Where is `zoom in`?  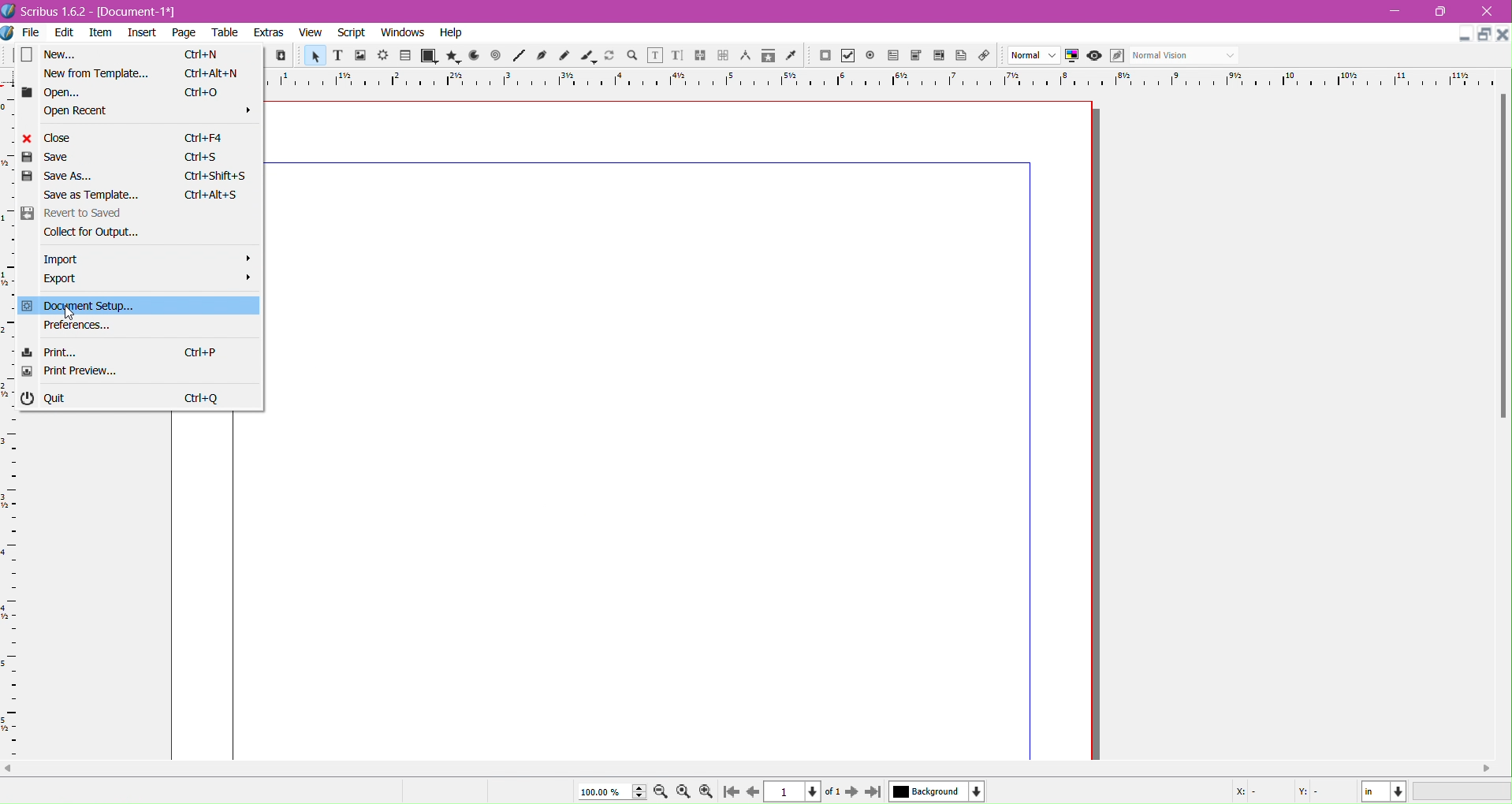
zoom in is located at coordinates (706, 792).